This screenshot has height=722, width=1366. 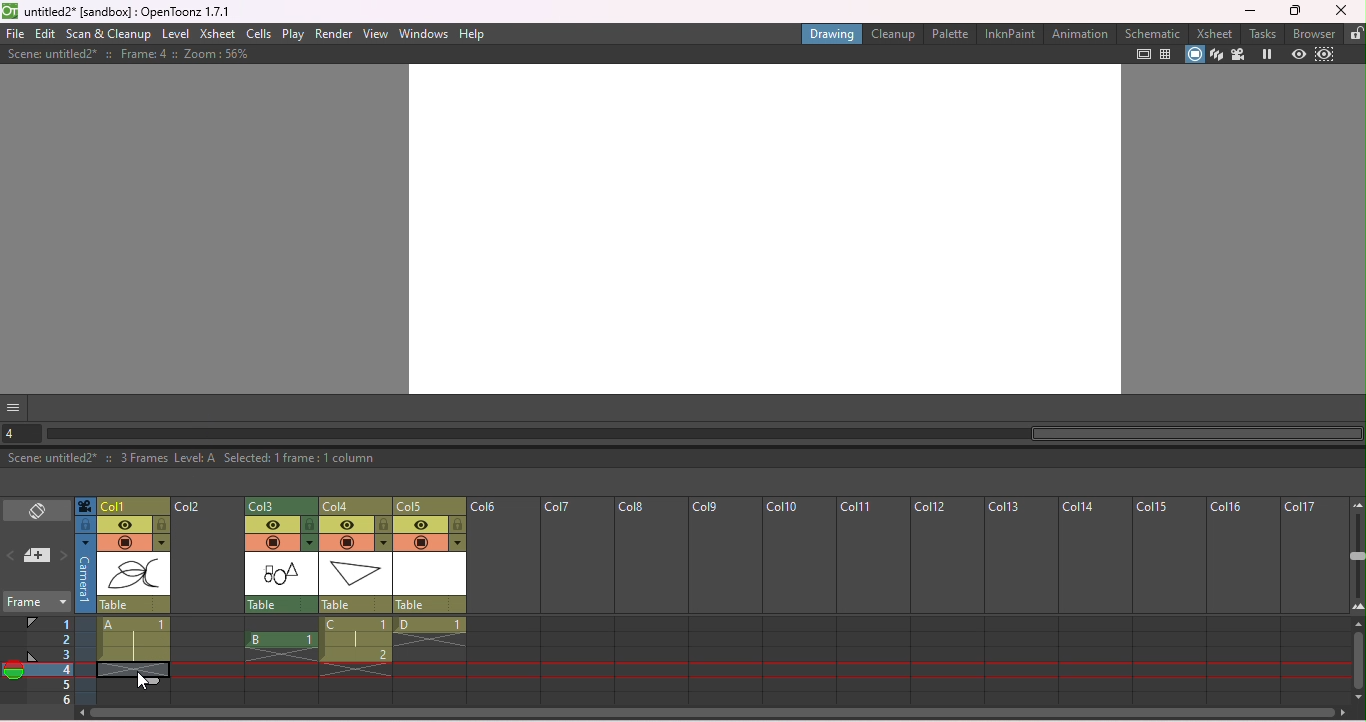 What do you see at coordinates (13, 673) in the screenshot?
I see `Onion skin` at bounding box center [13, 673].